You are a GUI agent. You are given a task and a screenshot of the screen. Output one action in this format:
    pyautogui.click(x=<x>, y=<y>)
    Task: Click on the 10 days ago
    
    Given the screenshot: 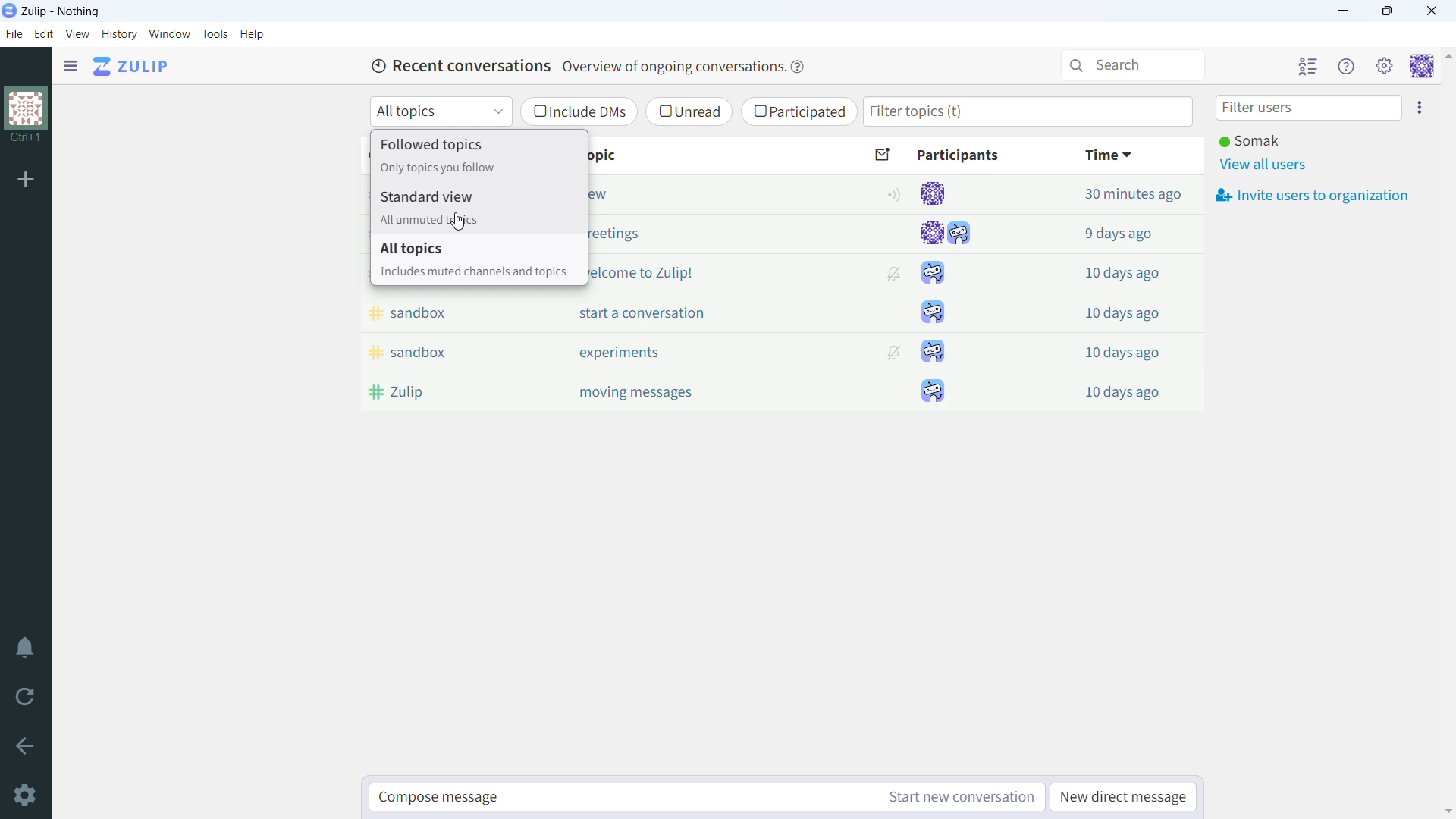 What is the action you would take?
    pyautogui.click(x=1122, y=393)
    